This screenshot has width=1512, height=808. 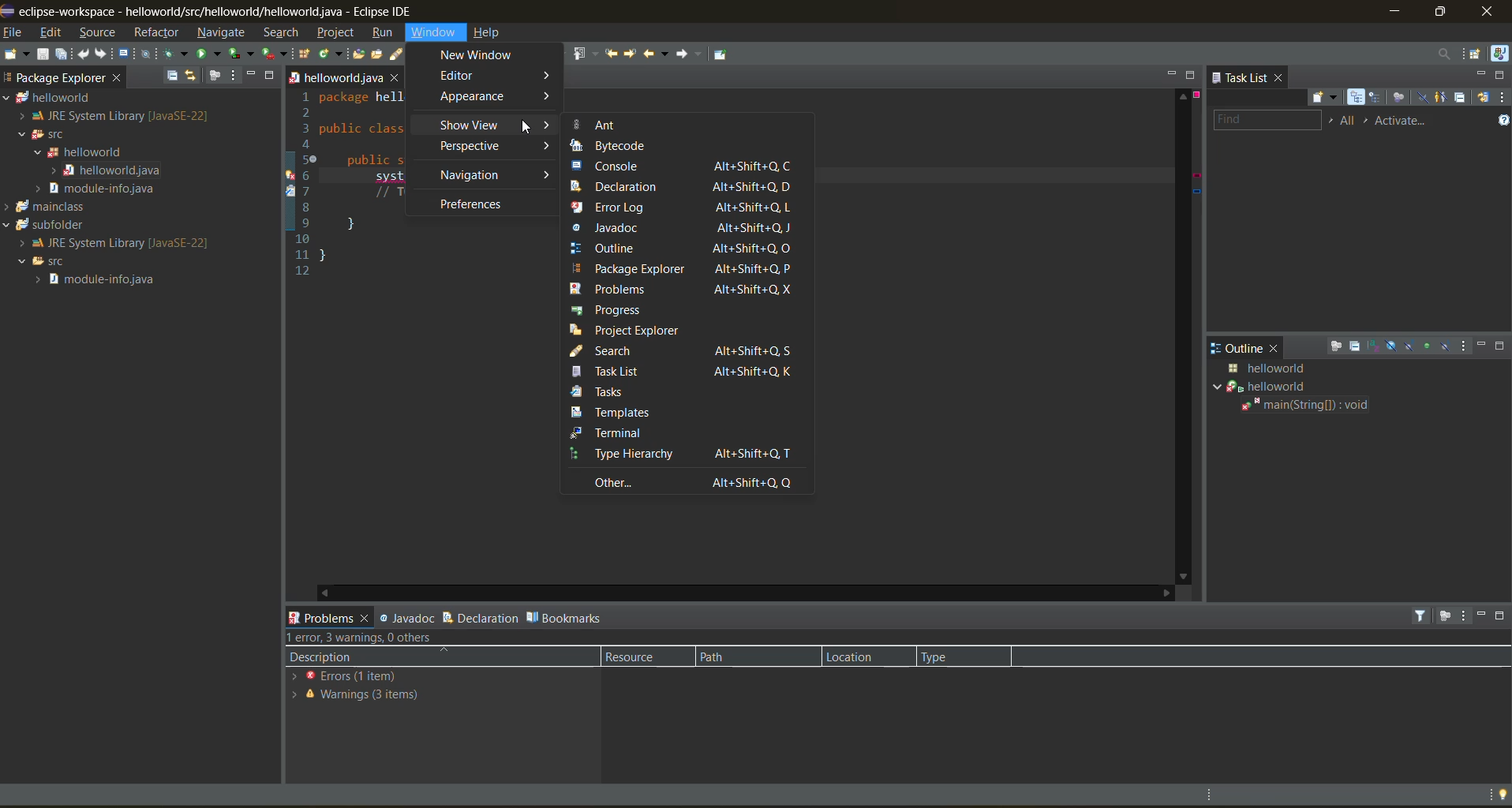 What do you see at coordinates (99, 34) in the screenshot?
I see `source` at bounding box center [99, 34].